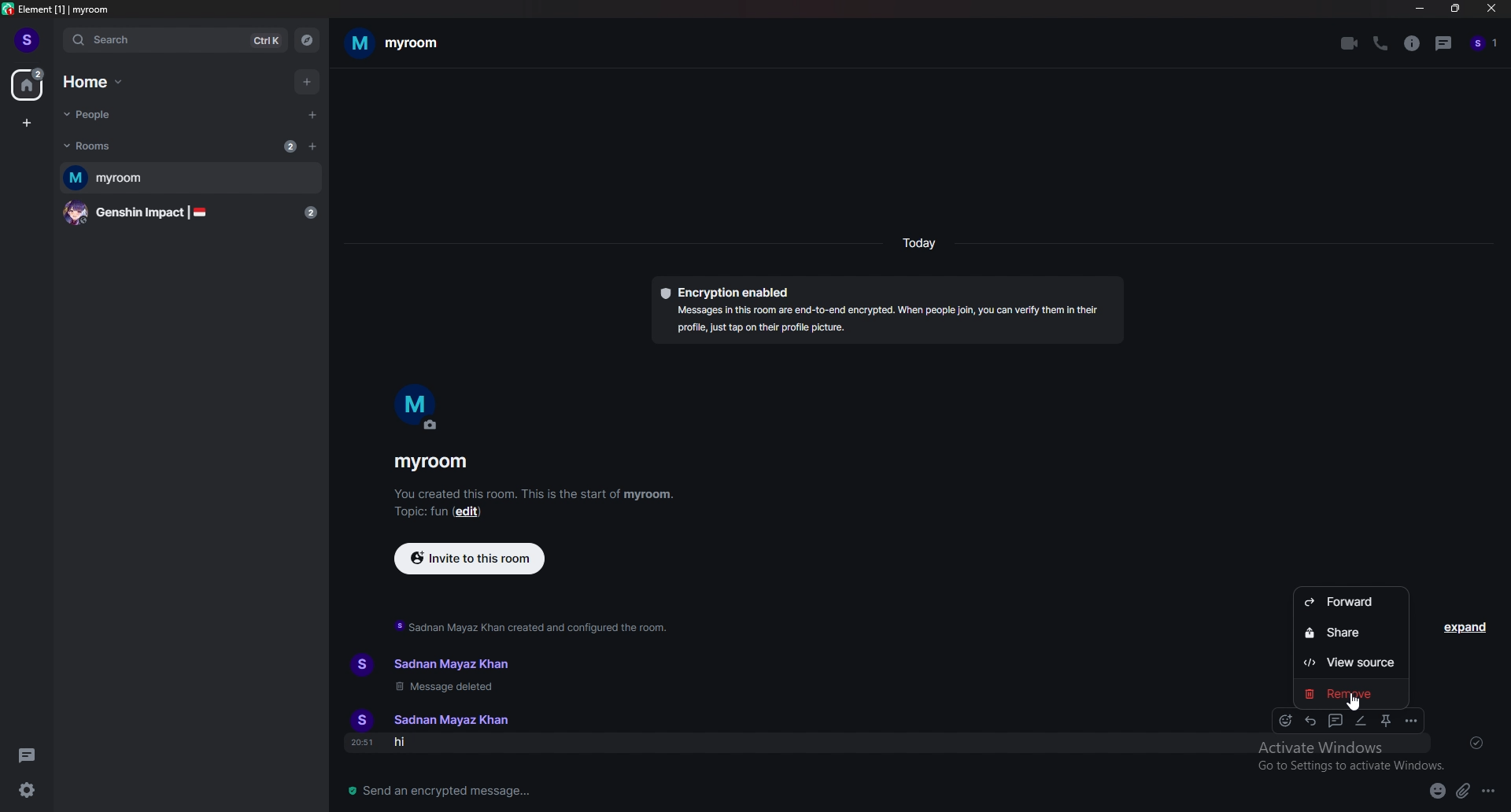  I want to click on sent, so click(1476, 742).